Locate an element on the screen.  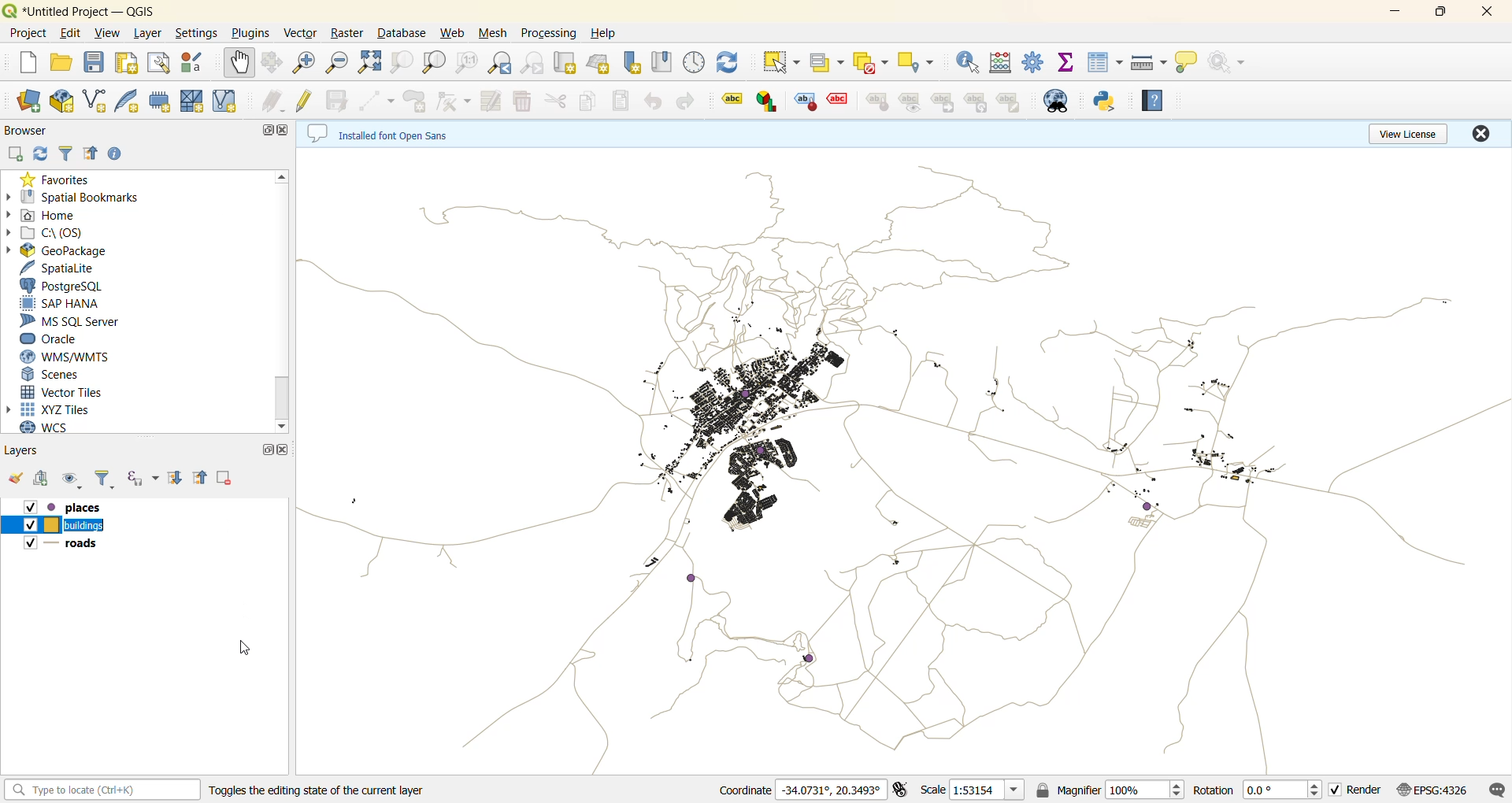
places is located at coordinates (70, 506).